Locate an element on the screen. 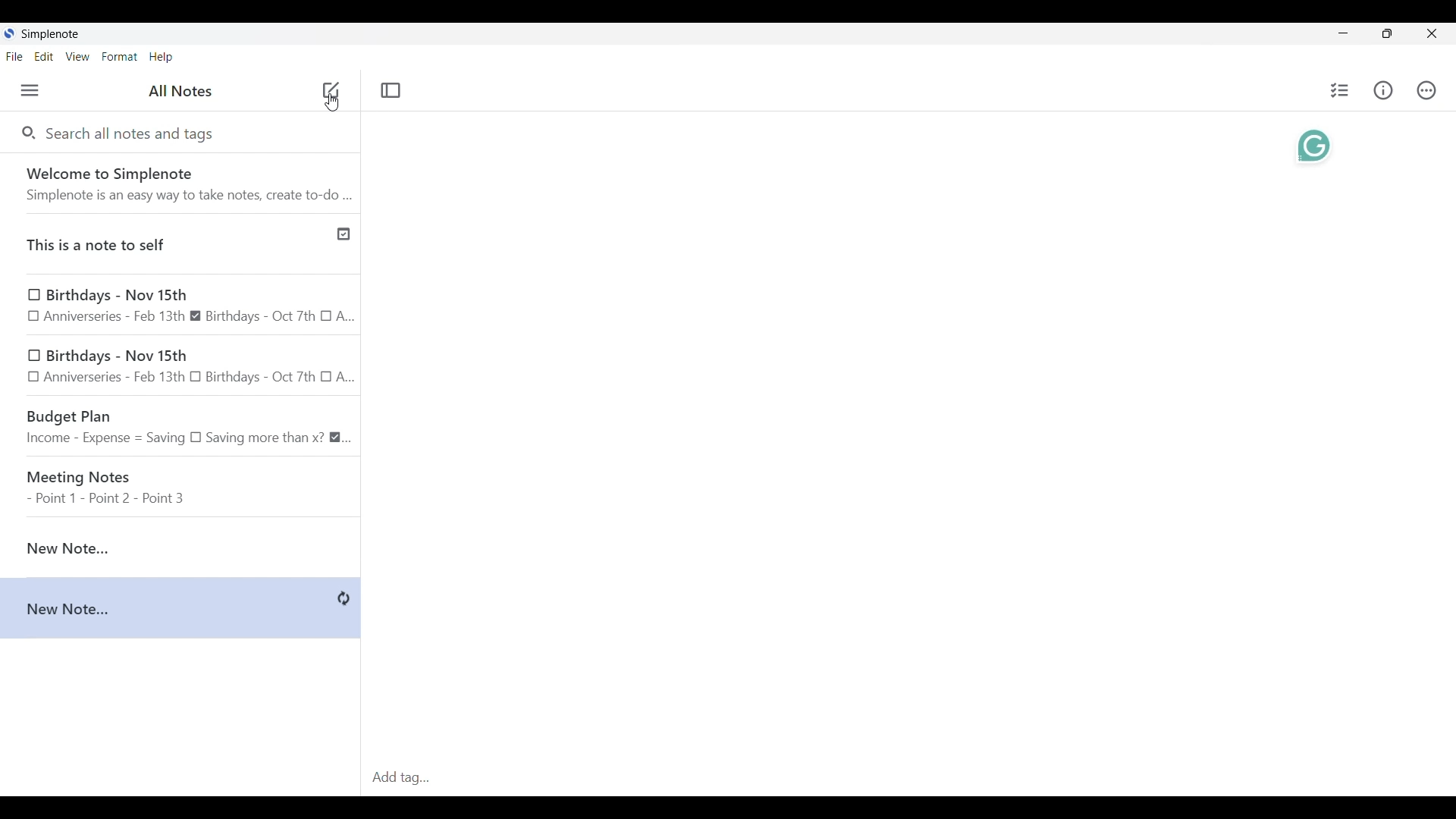  Indicates saving is located at coordinates (344, 599).